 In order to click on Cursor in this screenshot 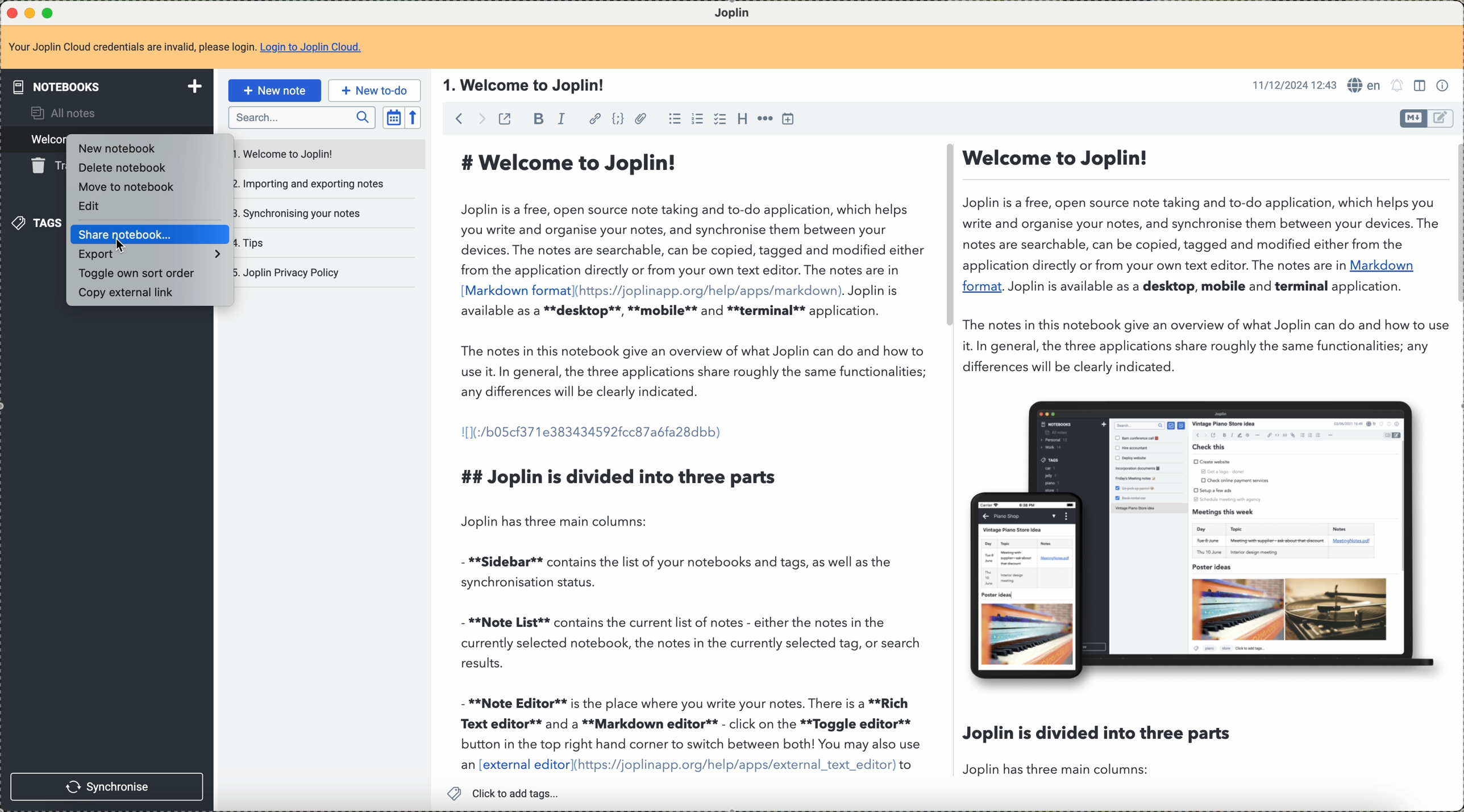, I will do `click(123, 251)`.